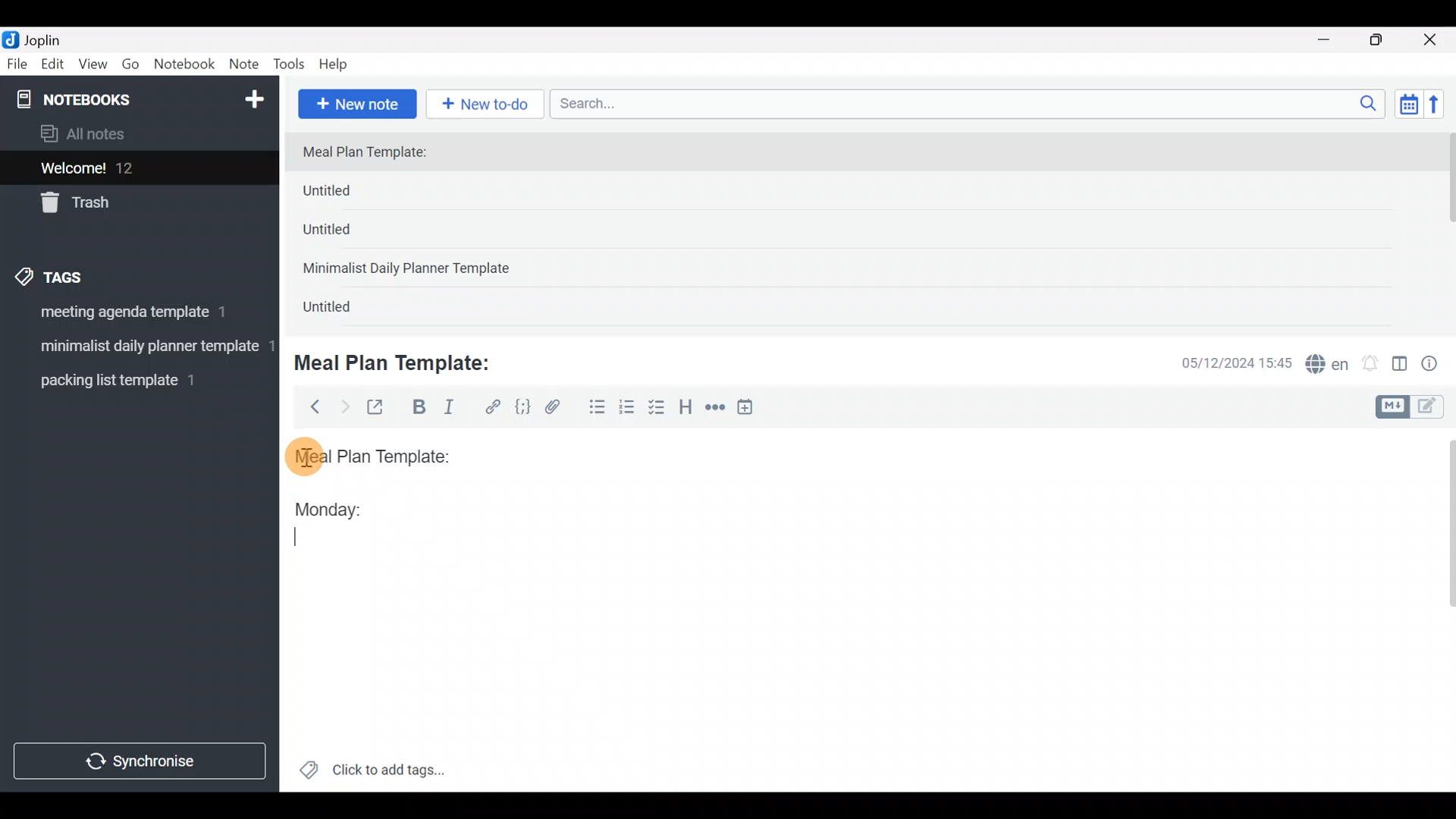 This screenshot has width=1456, height=819. What do you see at coordinates (715, 409) in the screenshot?
I see `Horizontal rule` at bounding box center [715, 409].